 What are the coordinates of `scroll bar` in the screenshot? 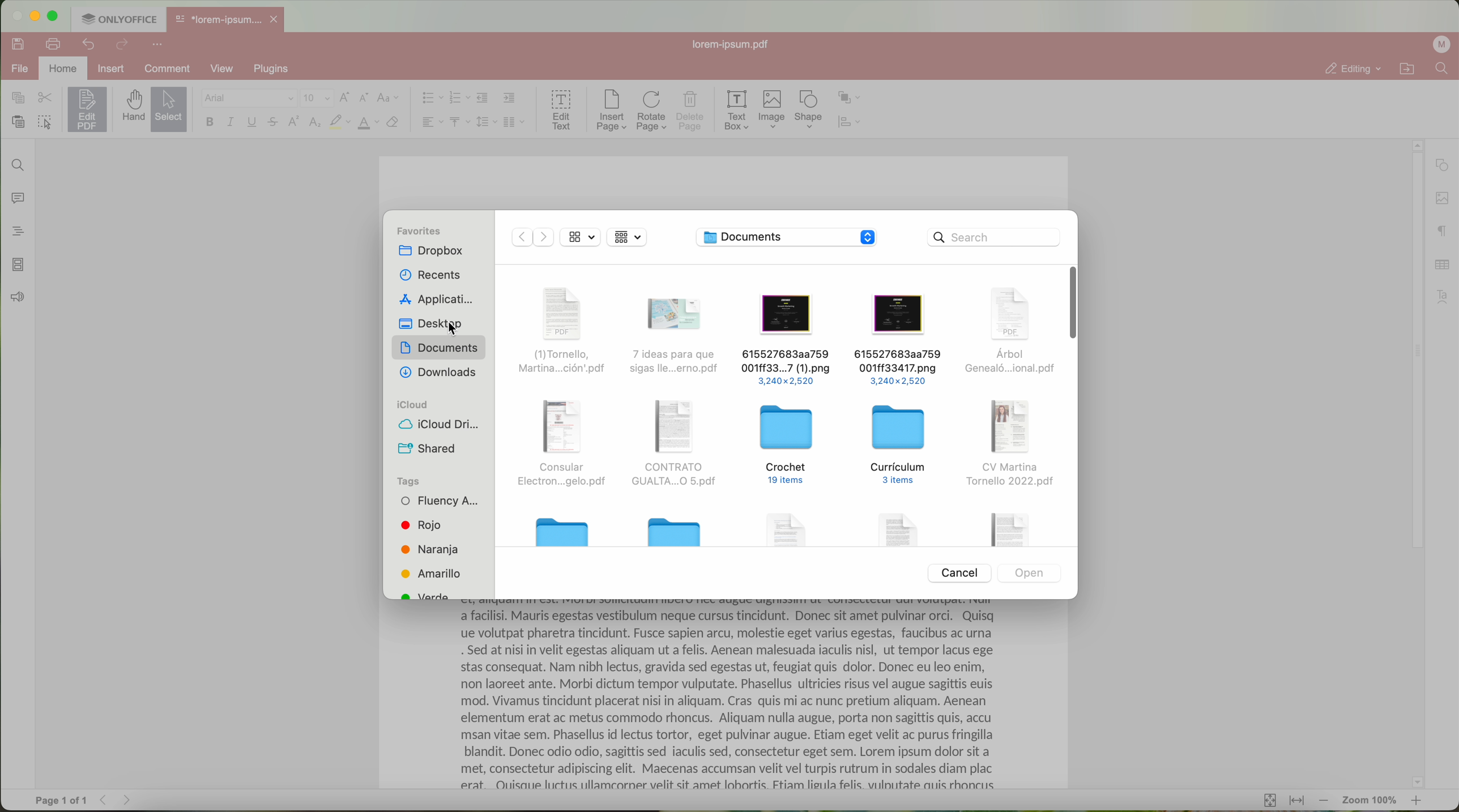 It's located at (1411, 464).